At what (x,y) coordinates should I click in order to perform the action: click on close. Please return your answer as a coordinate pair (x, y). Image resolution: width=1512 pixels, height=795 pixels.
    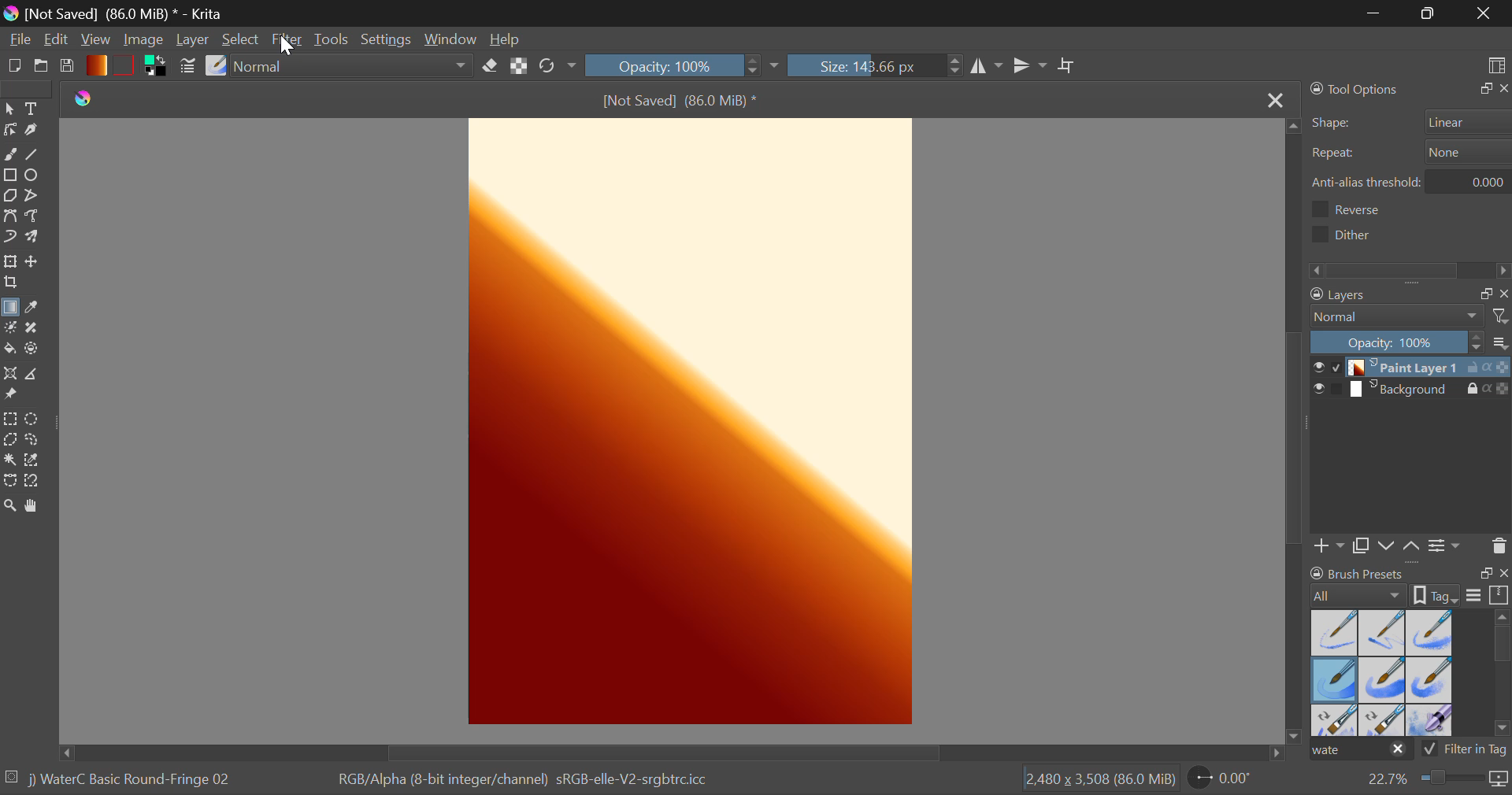
    Looking at the image, I should click on (1503, 294).